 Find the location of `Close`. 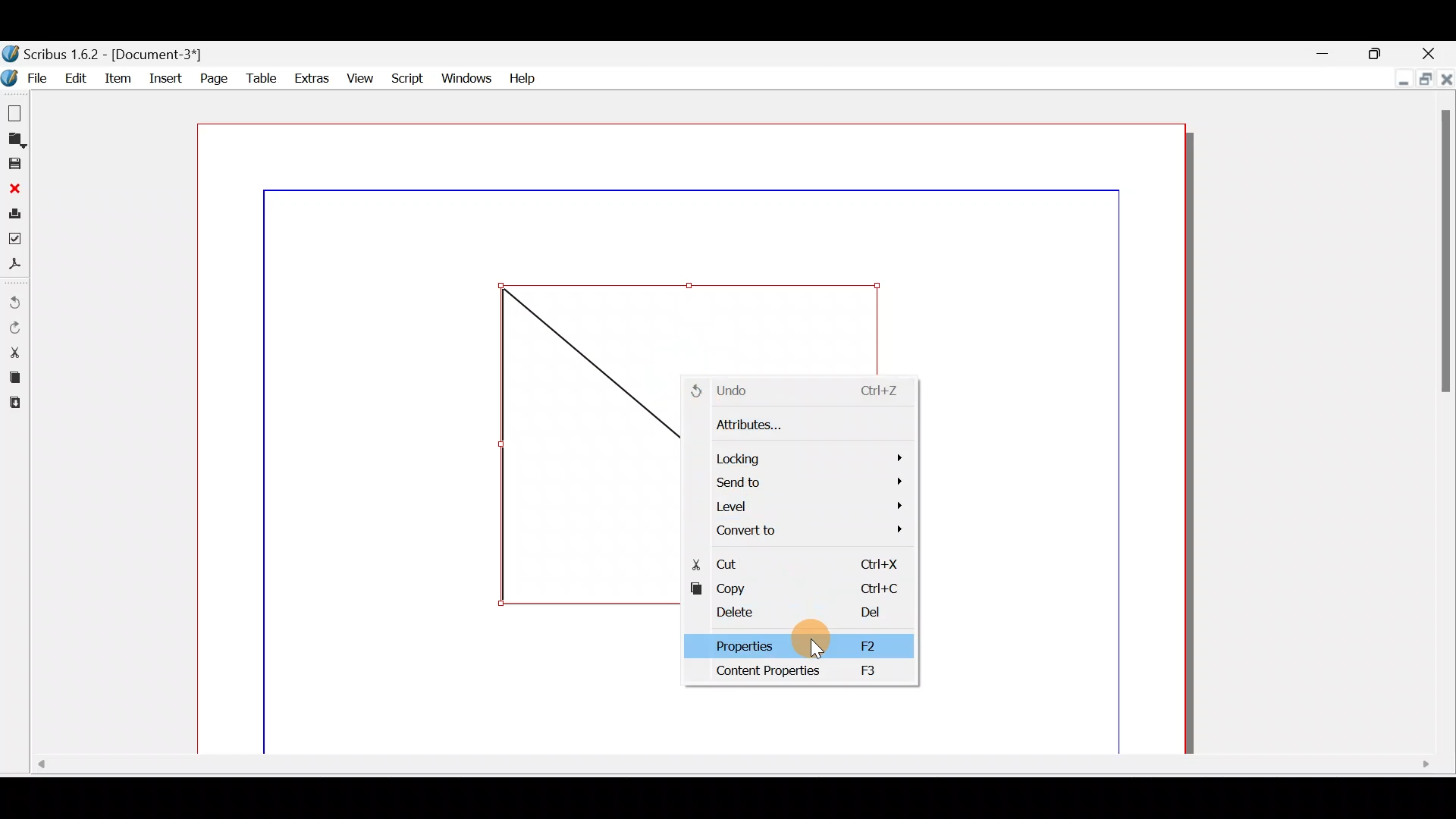

Close is located at coordinates (13, 187).